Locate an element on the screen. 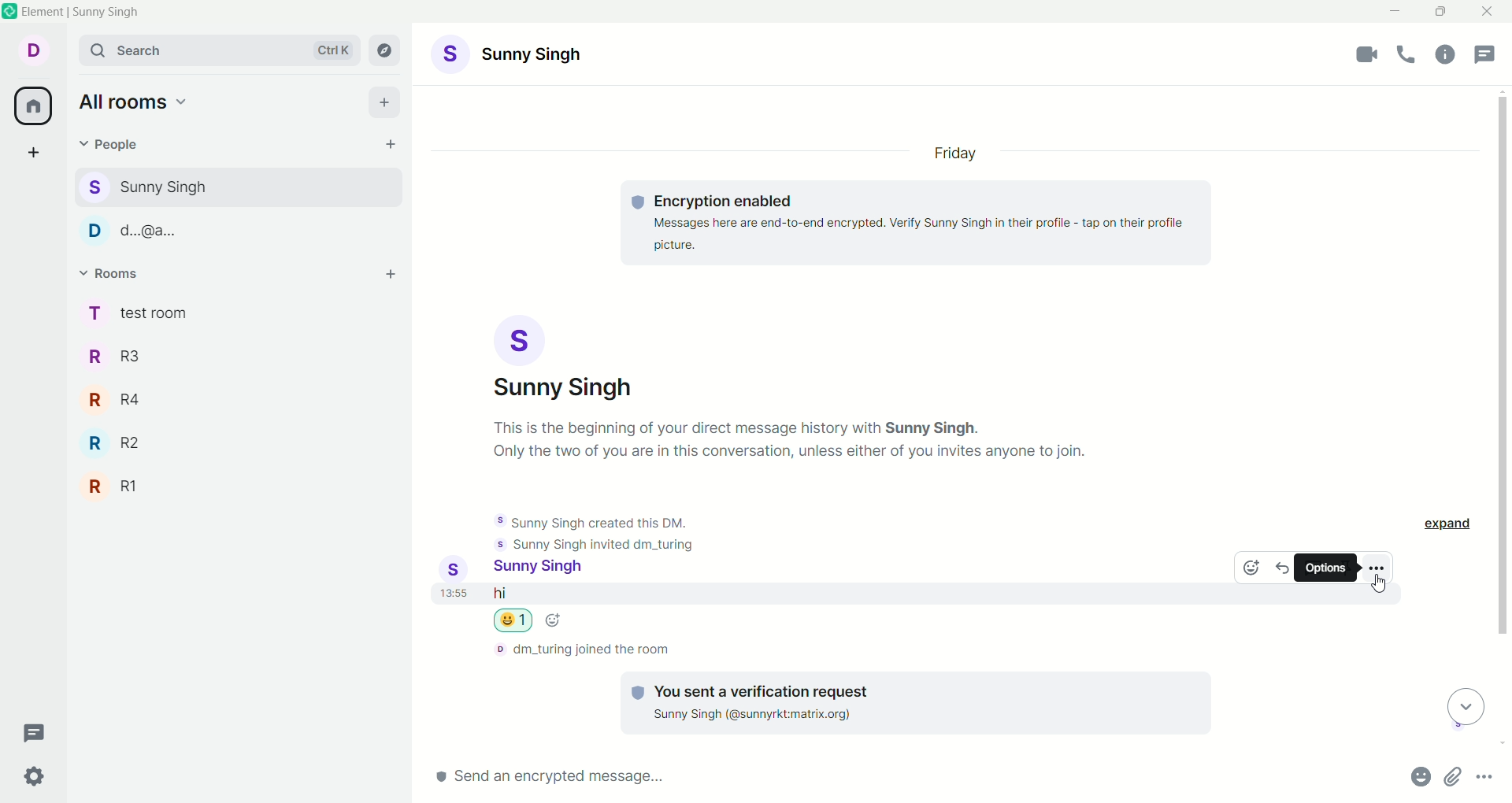 The width and height of the screenshot is (1512, 803). element is located at coordinates (81, 14).